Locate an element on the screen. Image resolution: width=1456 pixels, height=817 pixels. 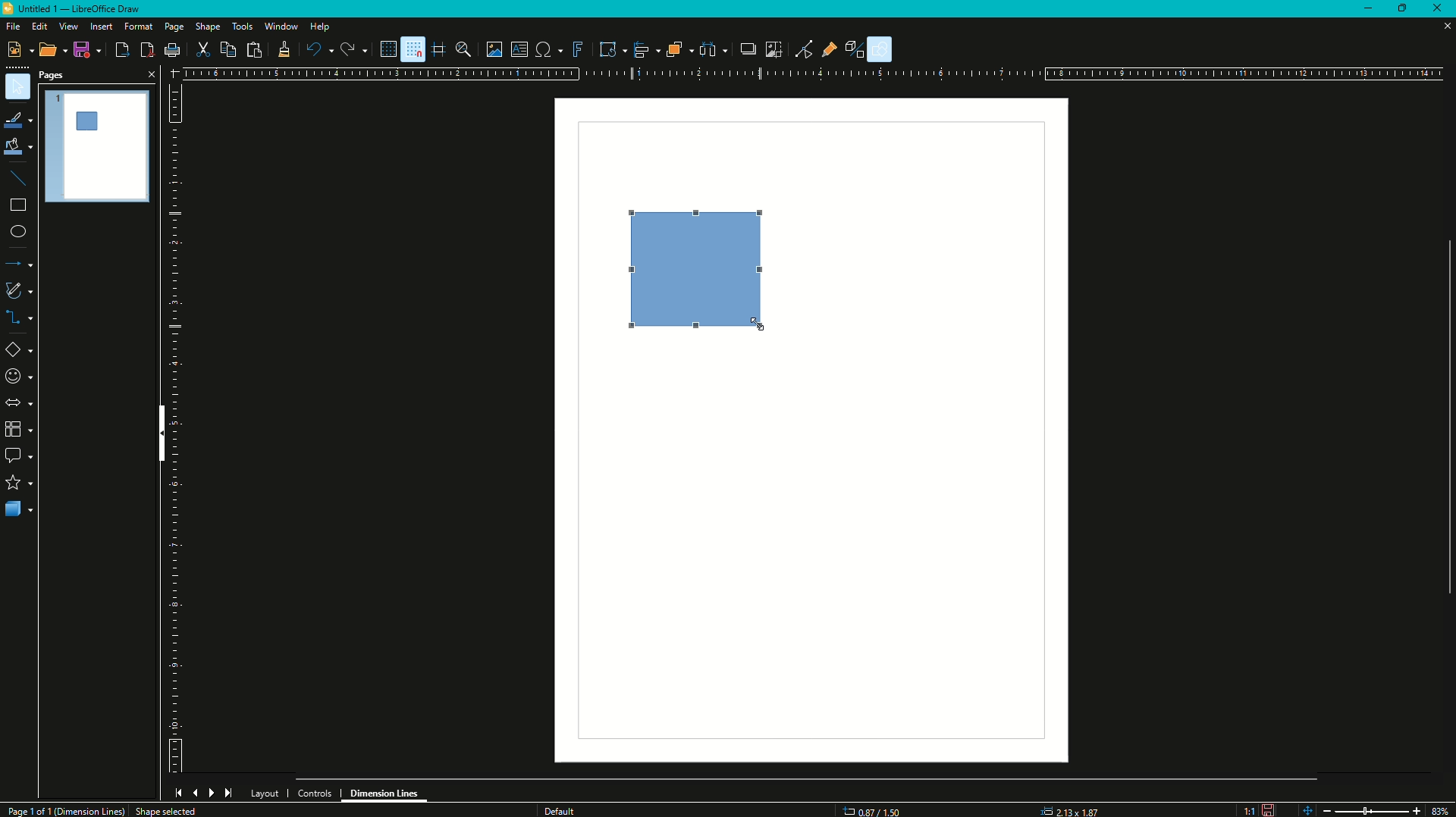
Arrange is located at coordinates (678, 49).